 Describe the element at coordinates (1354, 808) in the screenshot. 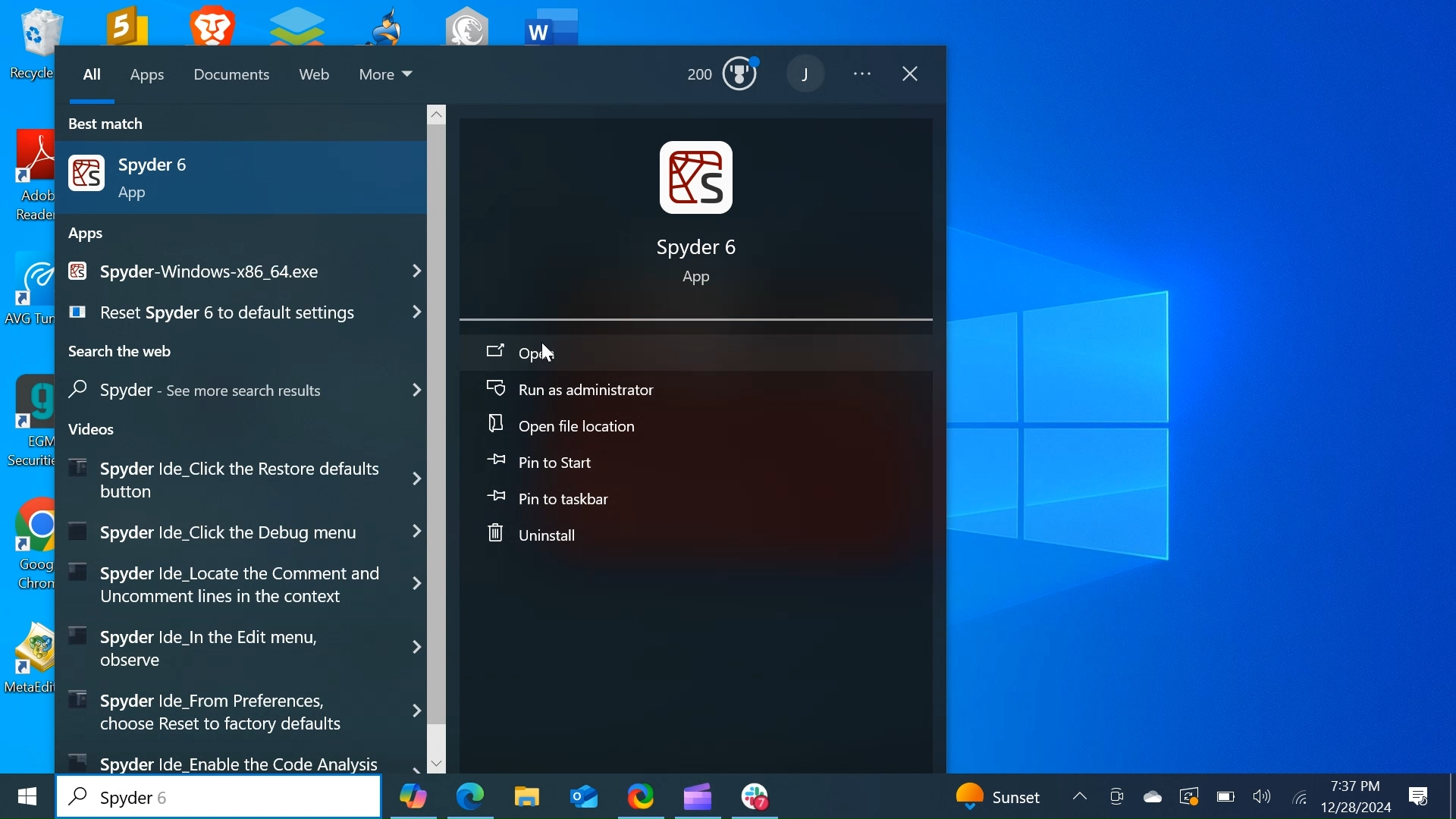

I see `Date` at that location.